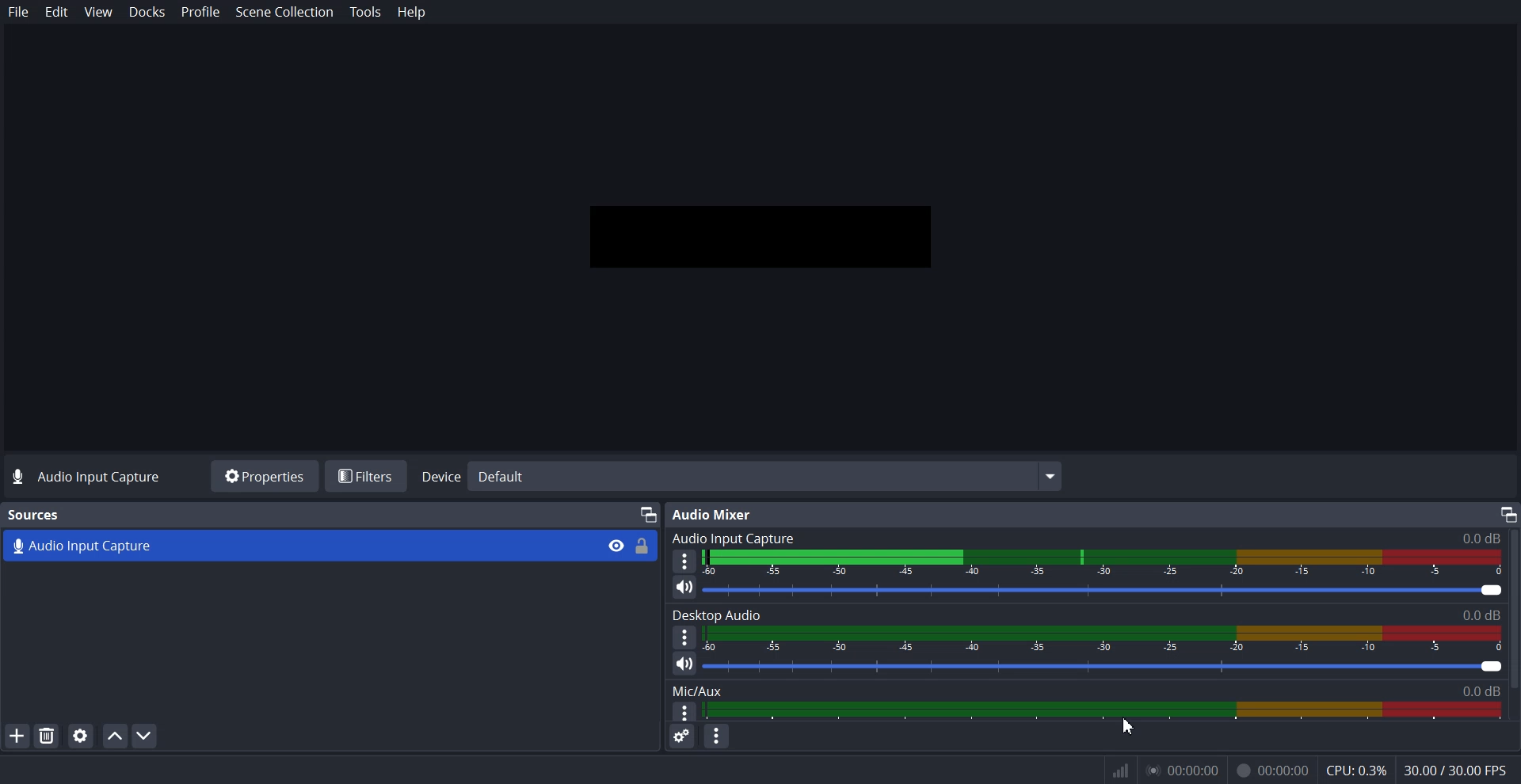 This screenshot has width=1521, height=784. Describe the element at coordinates (616, 545) in the screenshot. I see `Eye` at that location.